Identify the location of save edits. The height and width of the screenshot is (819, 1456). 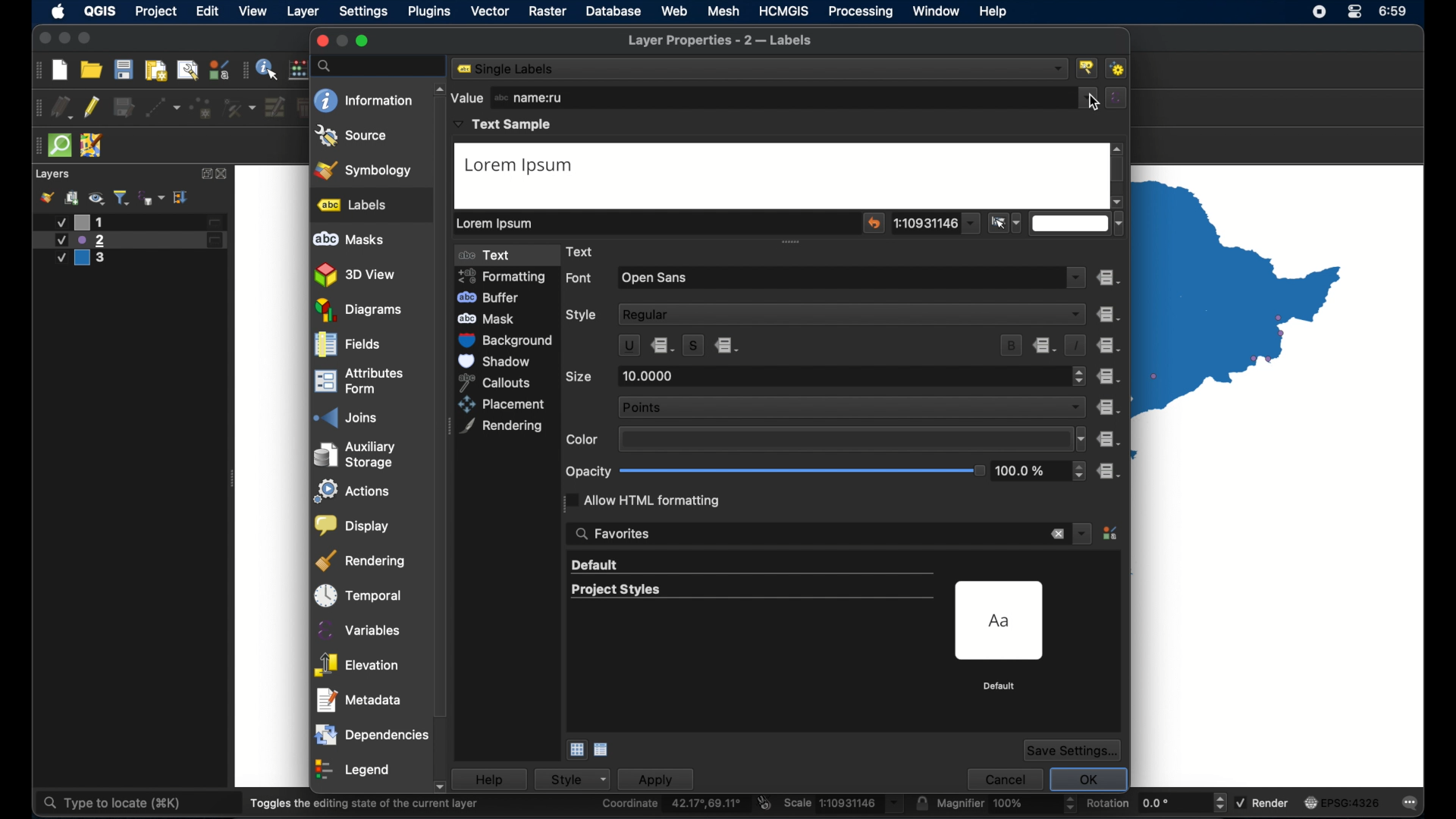
(124, 107).